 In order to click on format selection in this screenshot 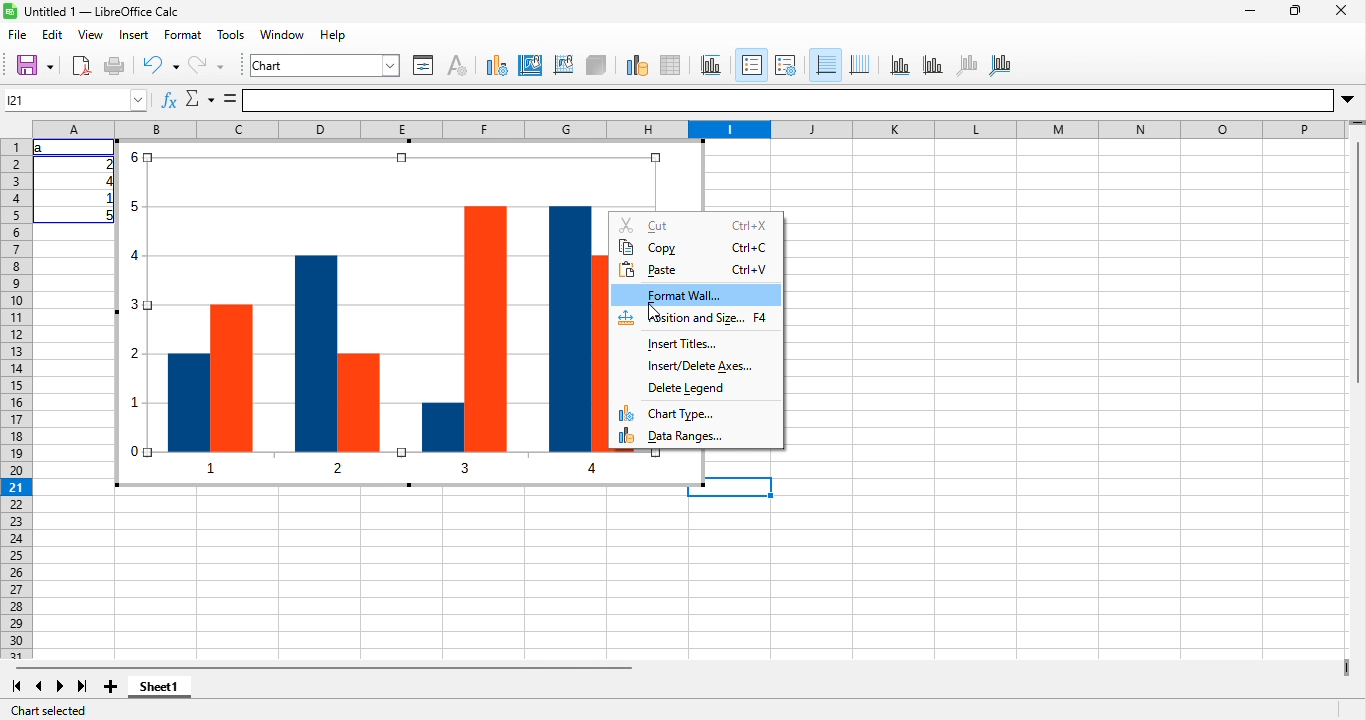, I will do `click(423, 67)`.